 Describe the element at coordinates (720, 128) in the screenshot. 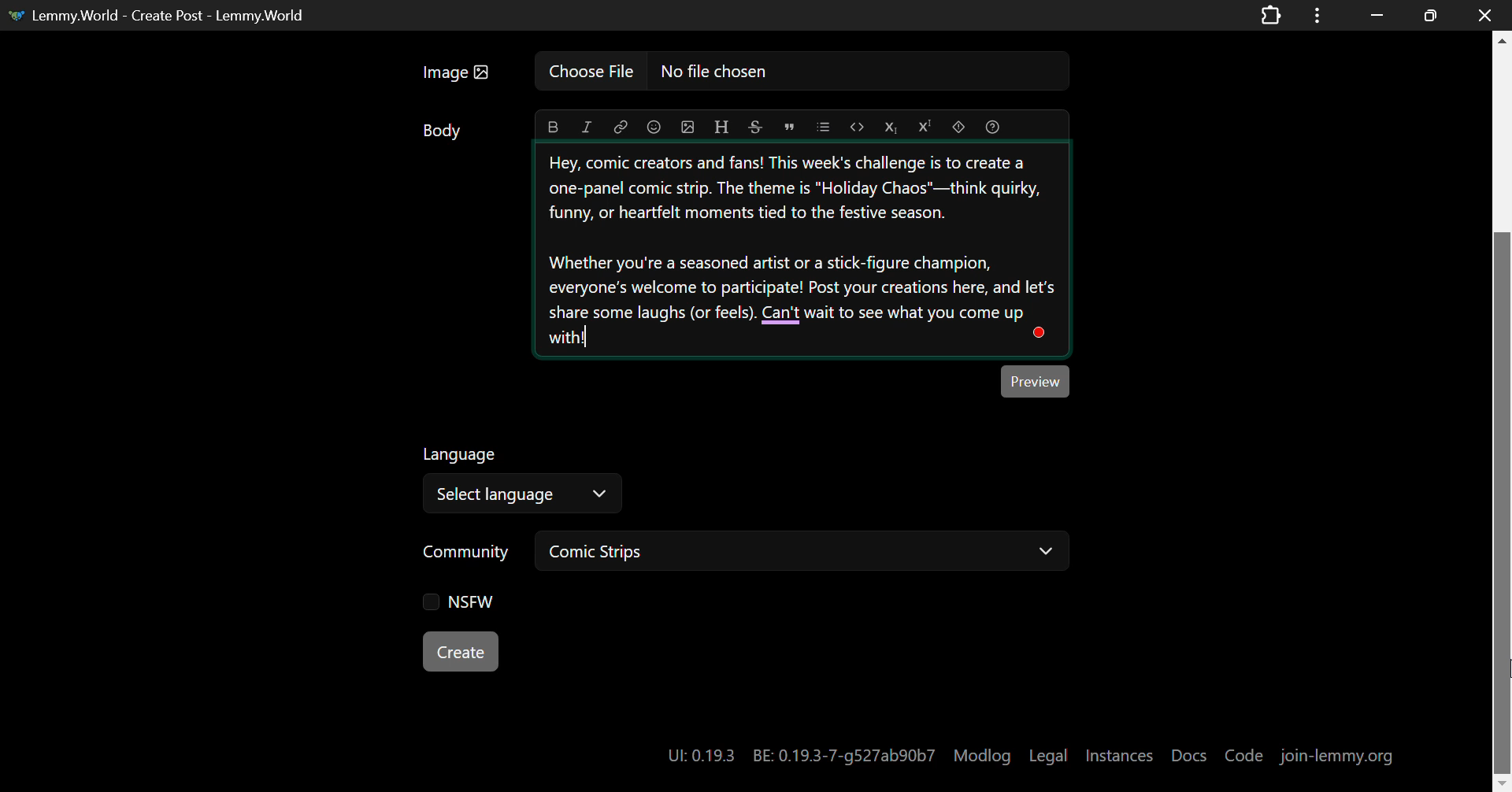

I see `header` at that location.